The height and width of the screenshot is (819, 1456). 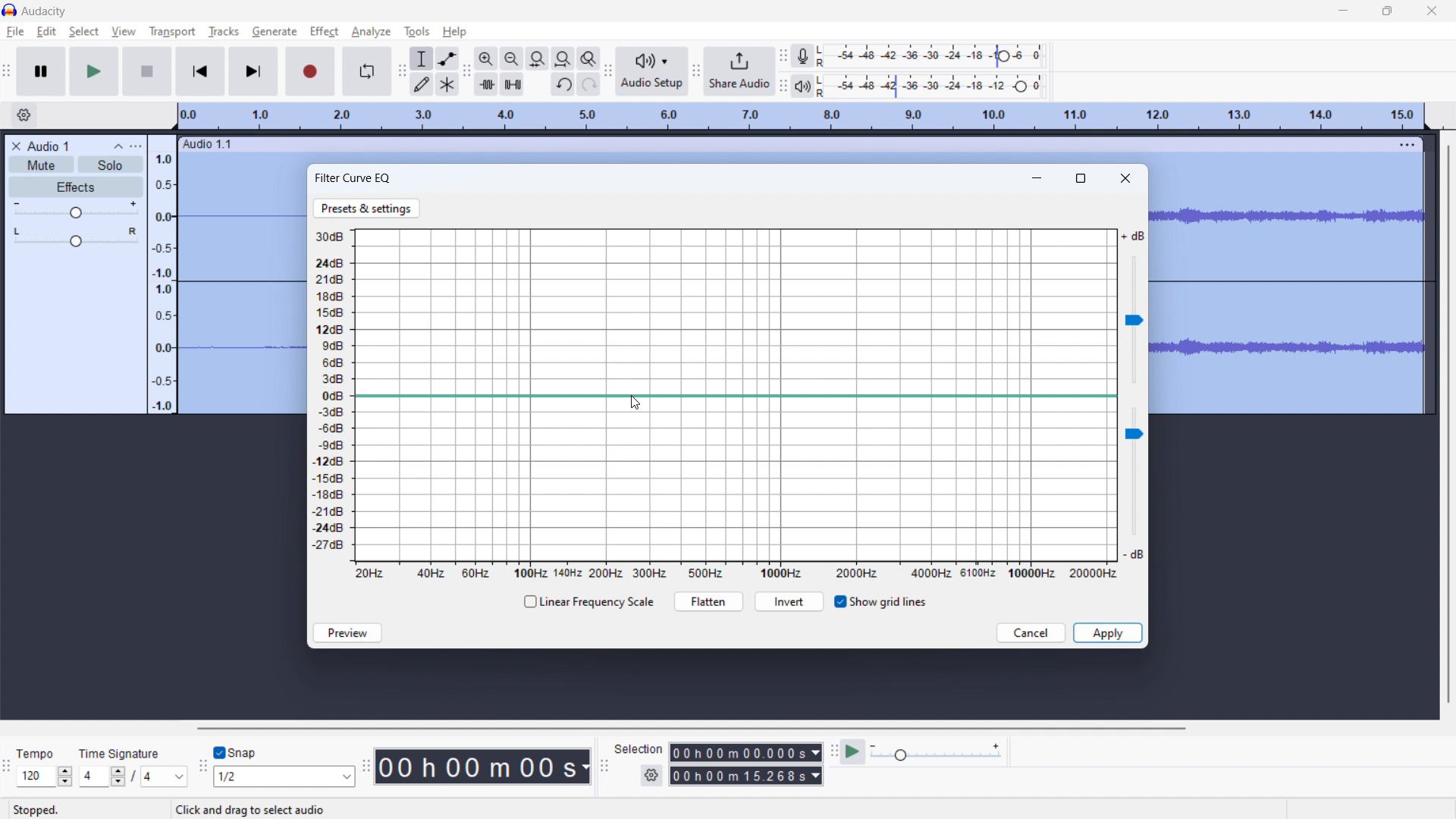 I want to click on Audacity, so click(x=45, y=11).